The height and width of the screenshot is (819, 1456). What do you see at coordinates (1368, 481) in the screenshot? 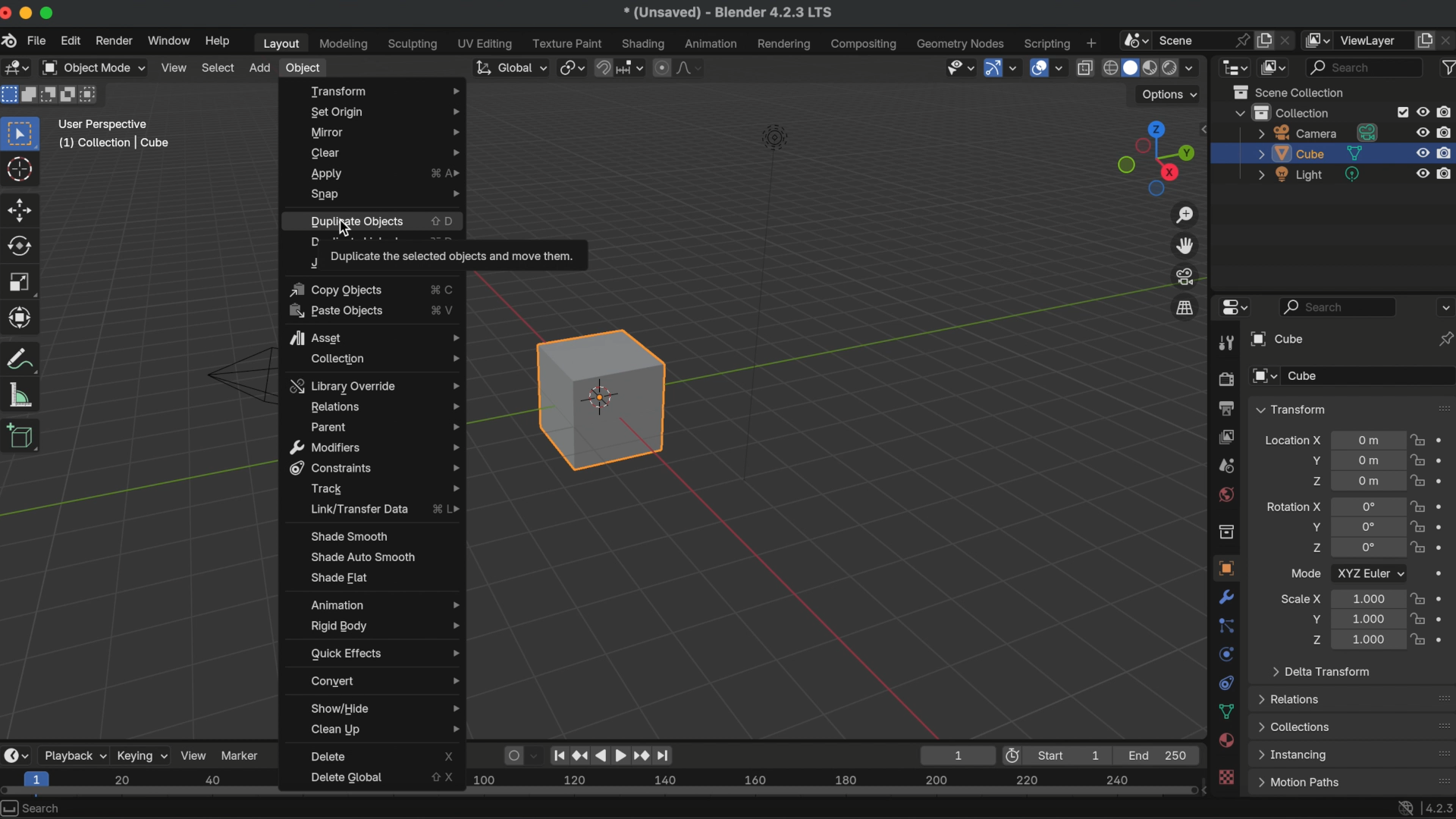
I see `location of object` at bounding box center [1368, 481].